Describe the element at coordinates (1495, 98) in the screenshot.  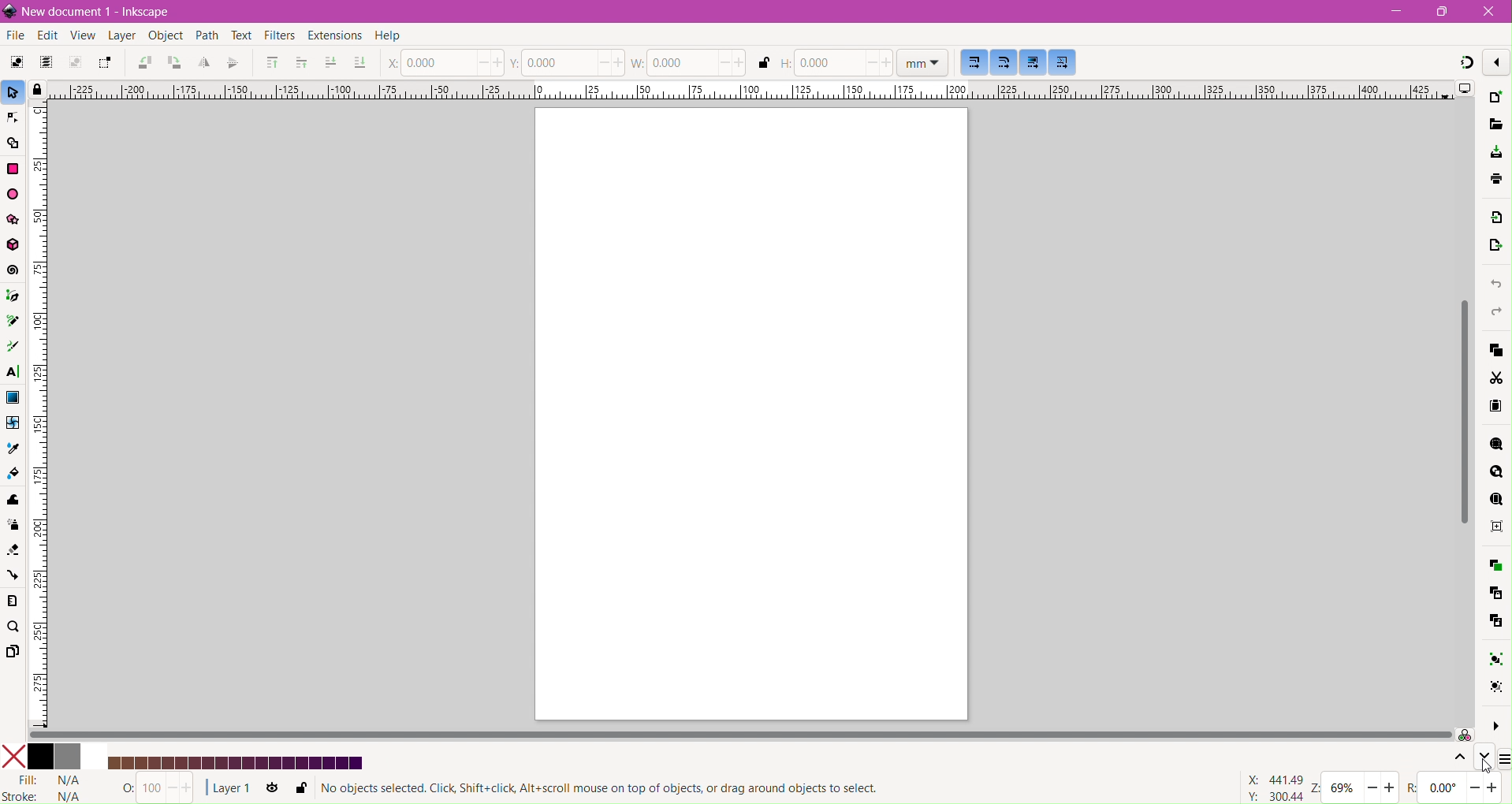
I see `New` at that location.